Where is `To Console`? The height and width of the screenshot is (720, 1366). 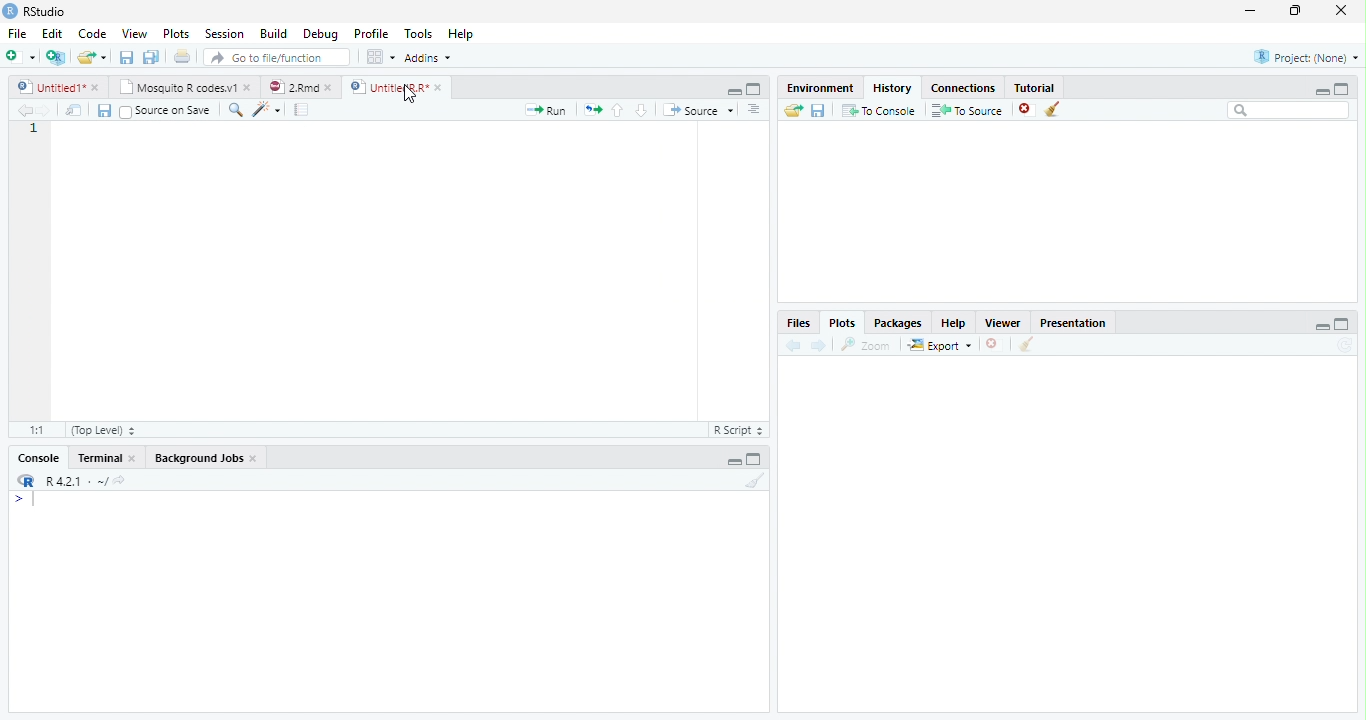
To Console is located at coordinates (880, 110).